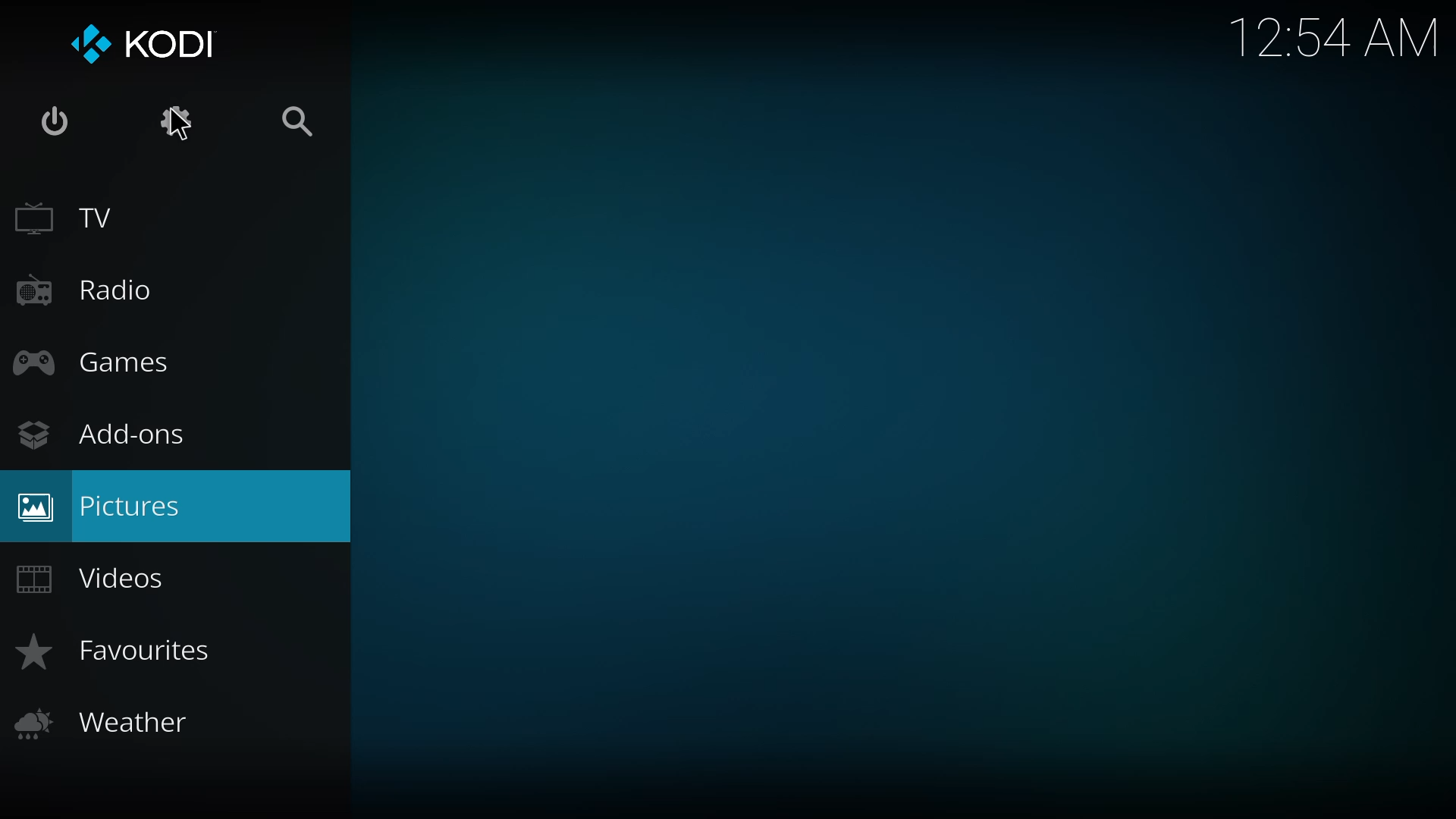 The image size is (1456, 819). What do you see at coordinates (307, 124) in the screenshot?
I see `search` at bounding box center [307, 124].